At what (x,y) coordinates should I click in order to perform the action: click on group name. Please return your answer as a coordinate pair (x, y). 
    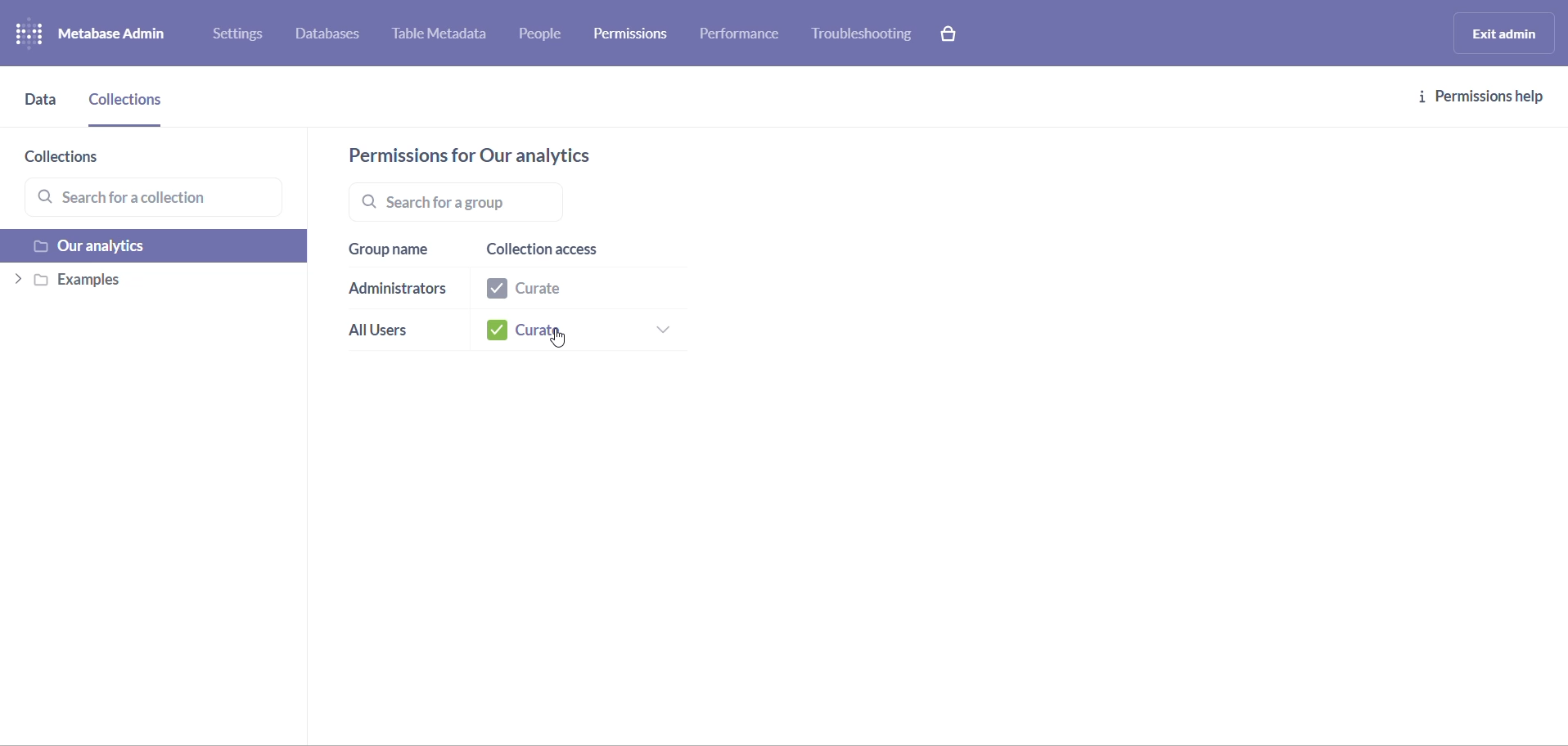
    Looking at the image, I should click on (394, 250).